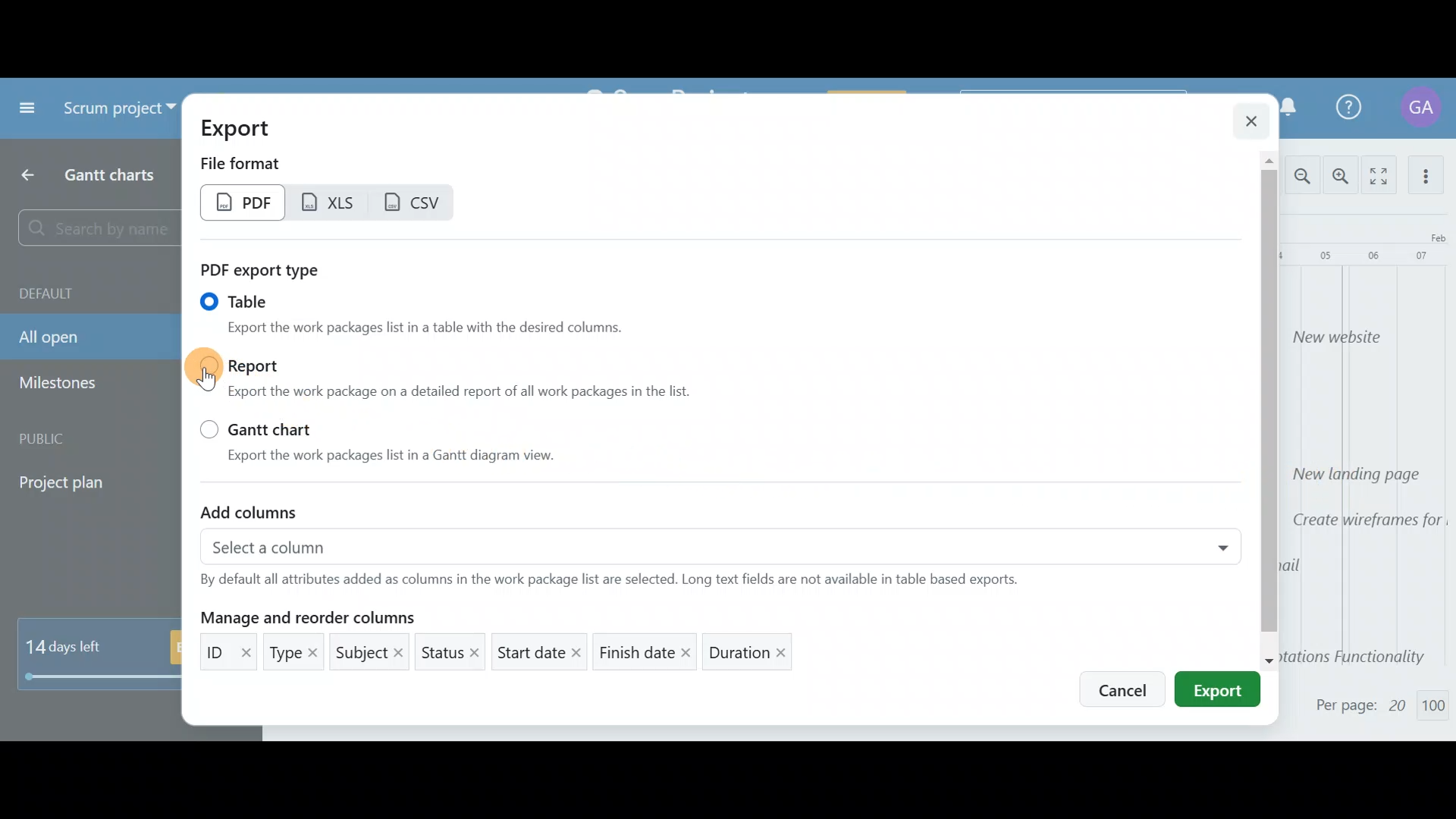 This screenshot has height=819, width=1456. What do you see at coordinates (251, 127) in the screenshot?
I see `Export` at bounding box center [251, 127].